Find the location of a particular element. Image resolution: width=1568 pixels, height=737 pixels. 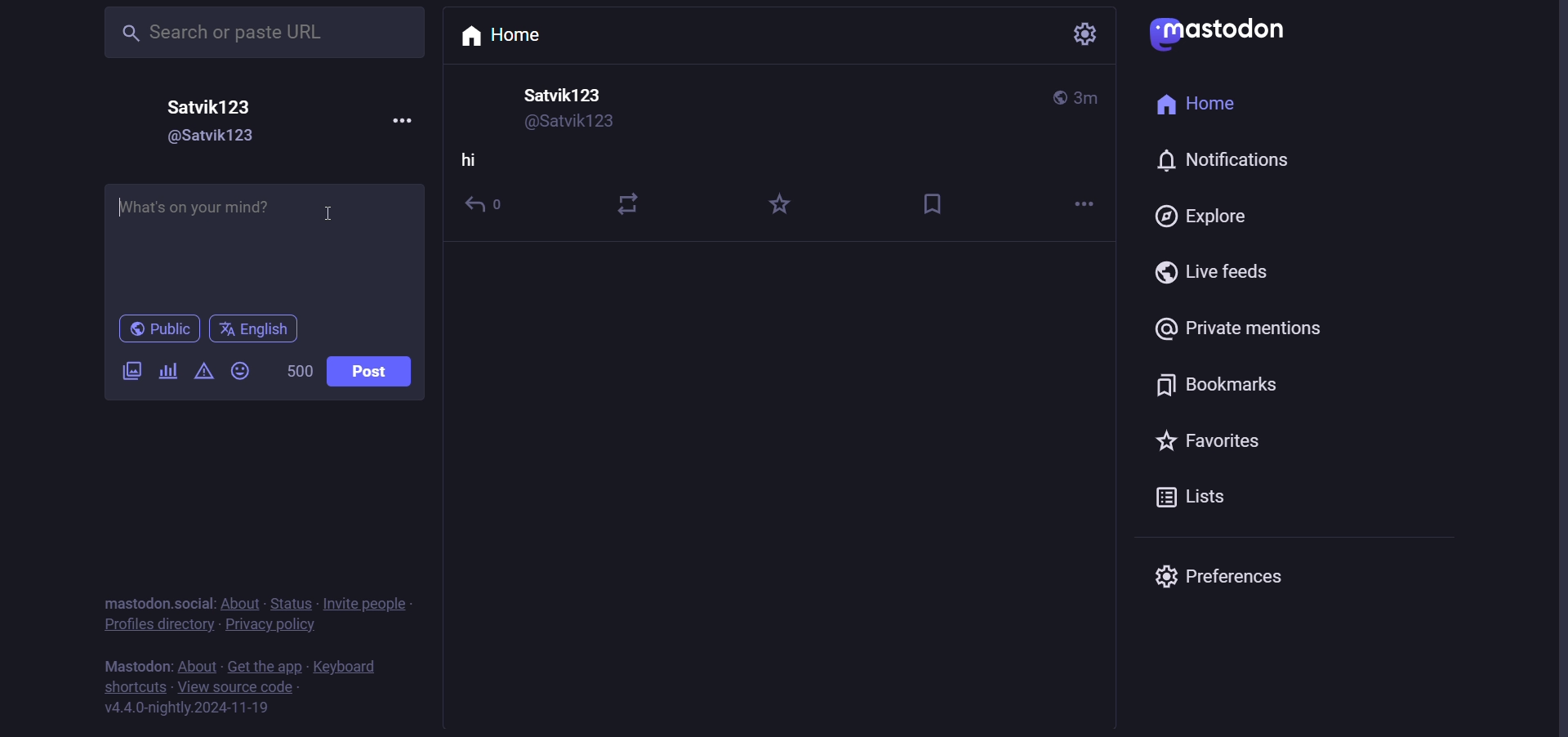

about is located at coordinates (238, 604).